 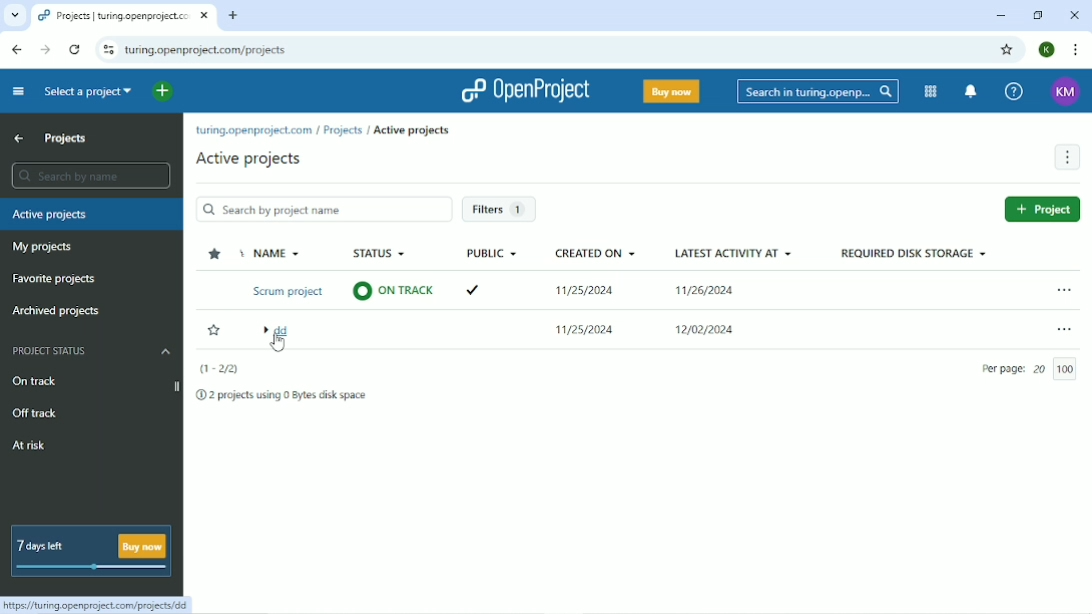 What do you see at coordinates (282, 397) in the screenshot?
I see `2 projects using 0 Bytes disk space.` at bounding box center [282, 397].